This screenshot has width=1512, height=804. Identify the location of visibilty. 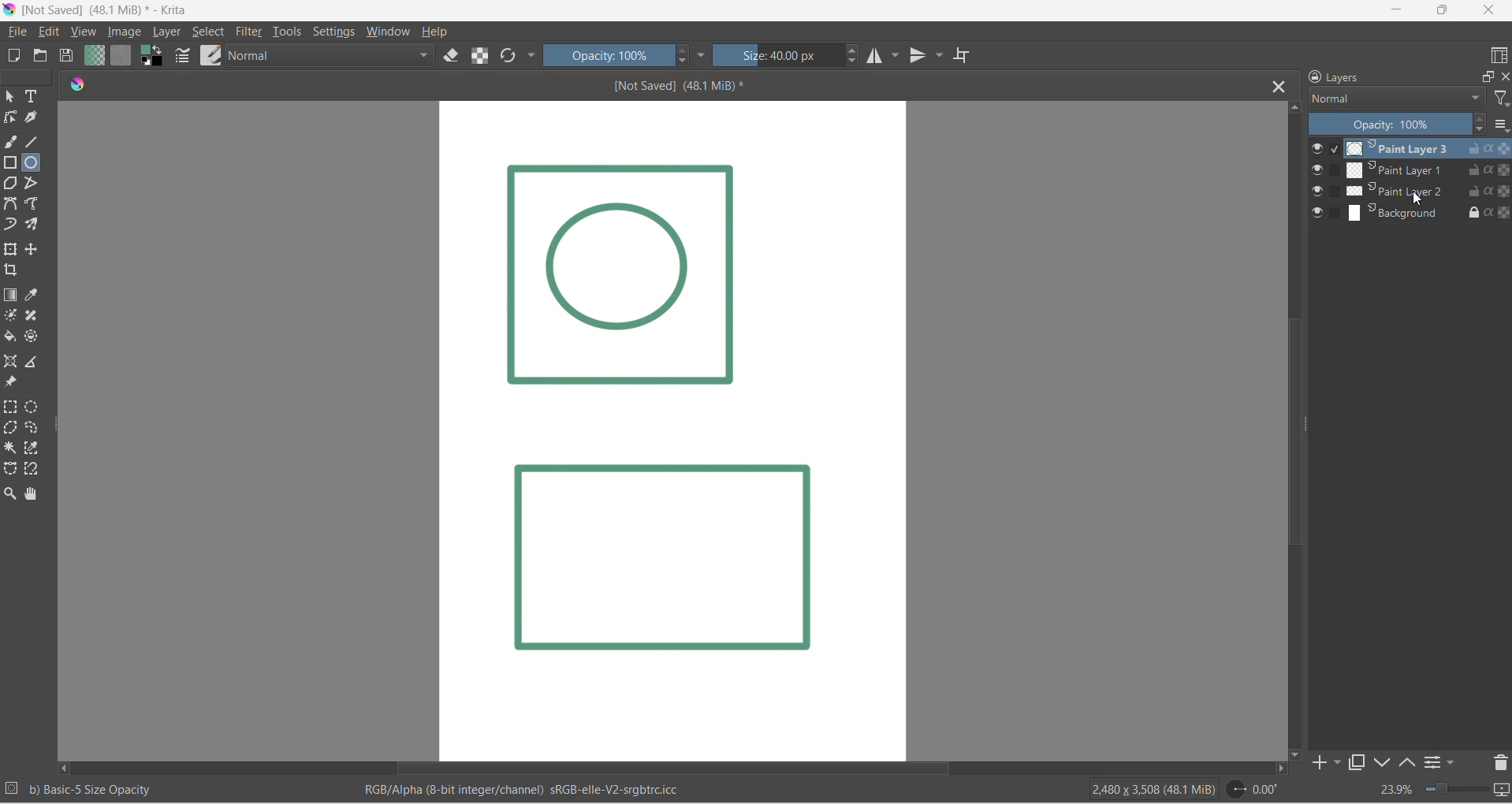
(1316, 171).